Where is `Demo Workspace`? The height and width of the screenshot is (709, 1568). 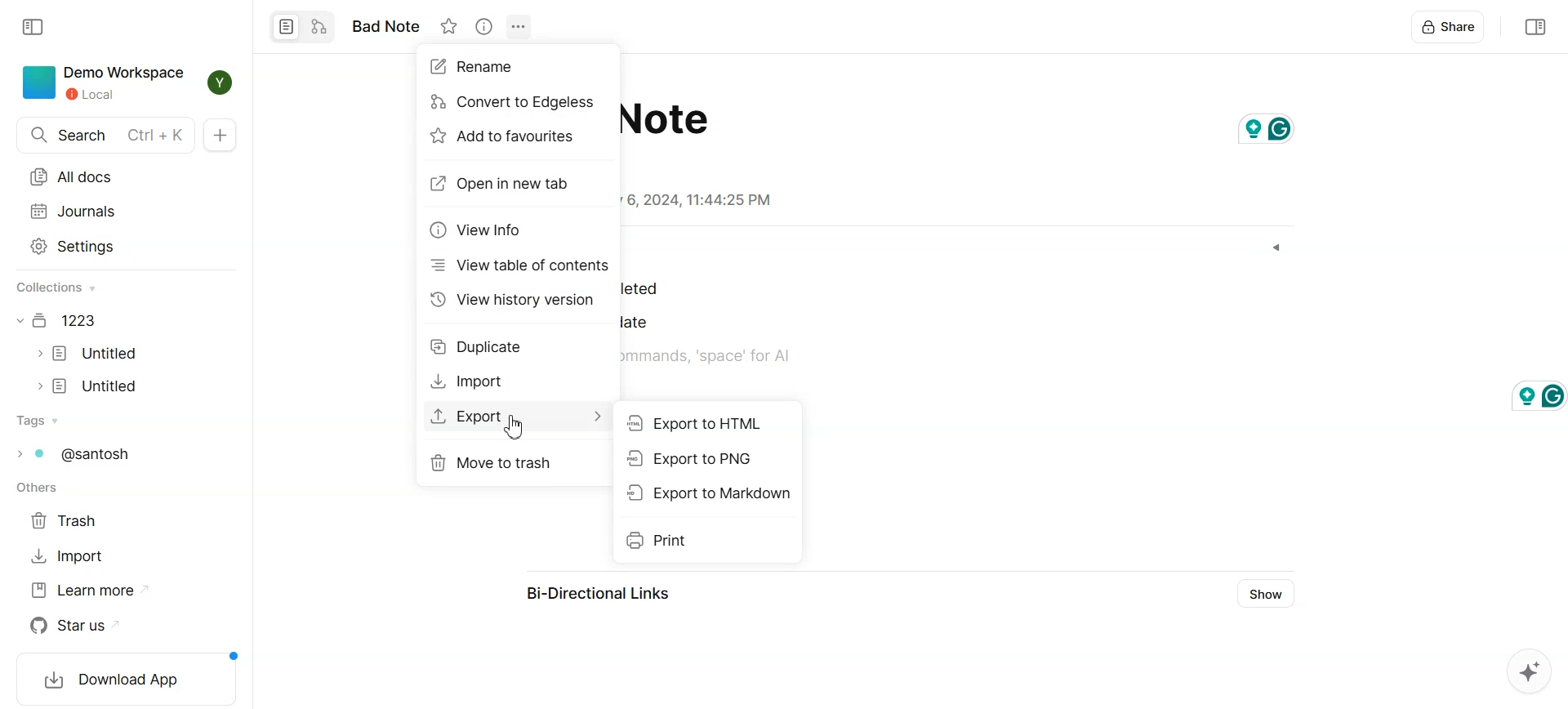
Demo Workspace is located at coordinates (100, 82).